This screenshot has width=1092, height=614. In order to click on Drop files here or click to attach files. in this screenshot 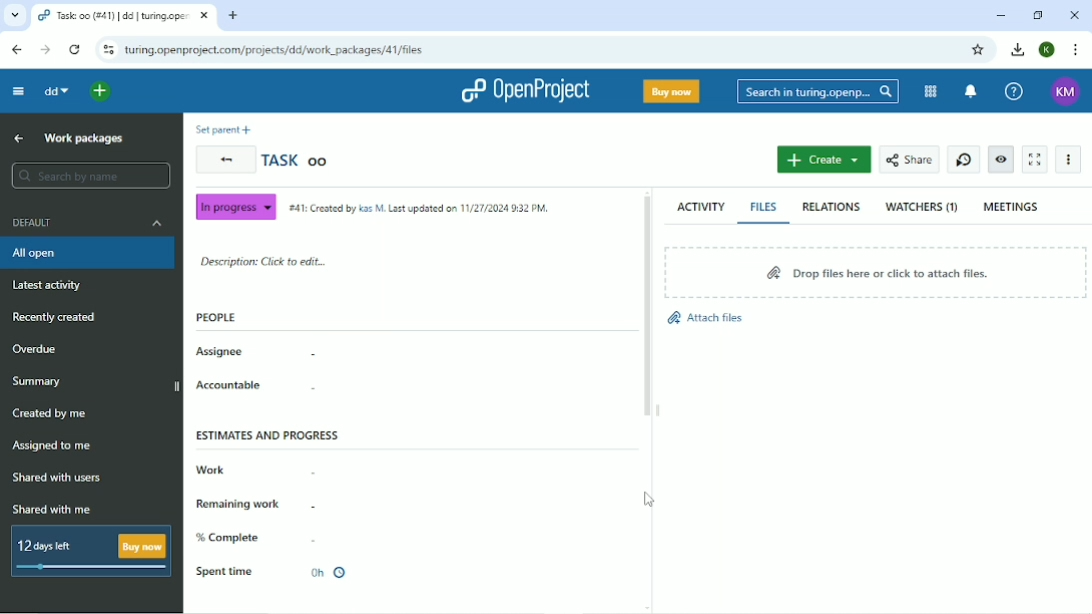, I will do `click(876, 271)`.